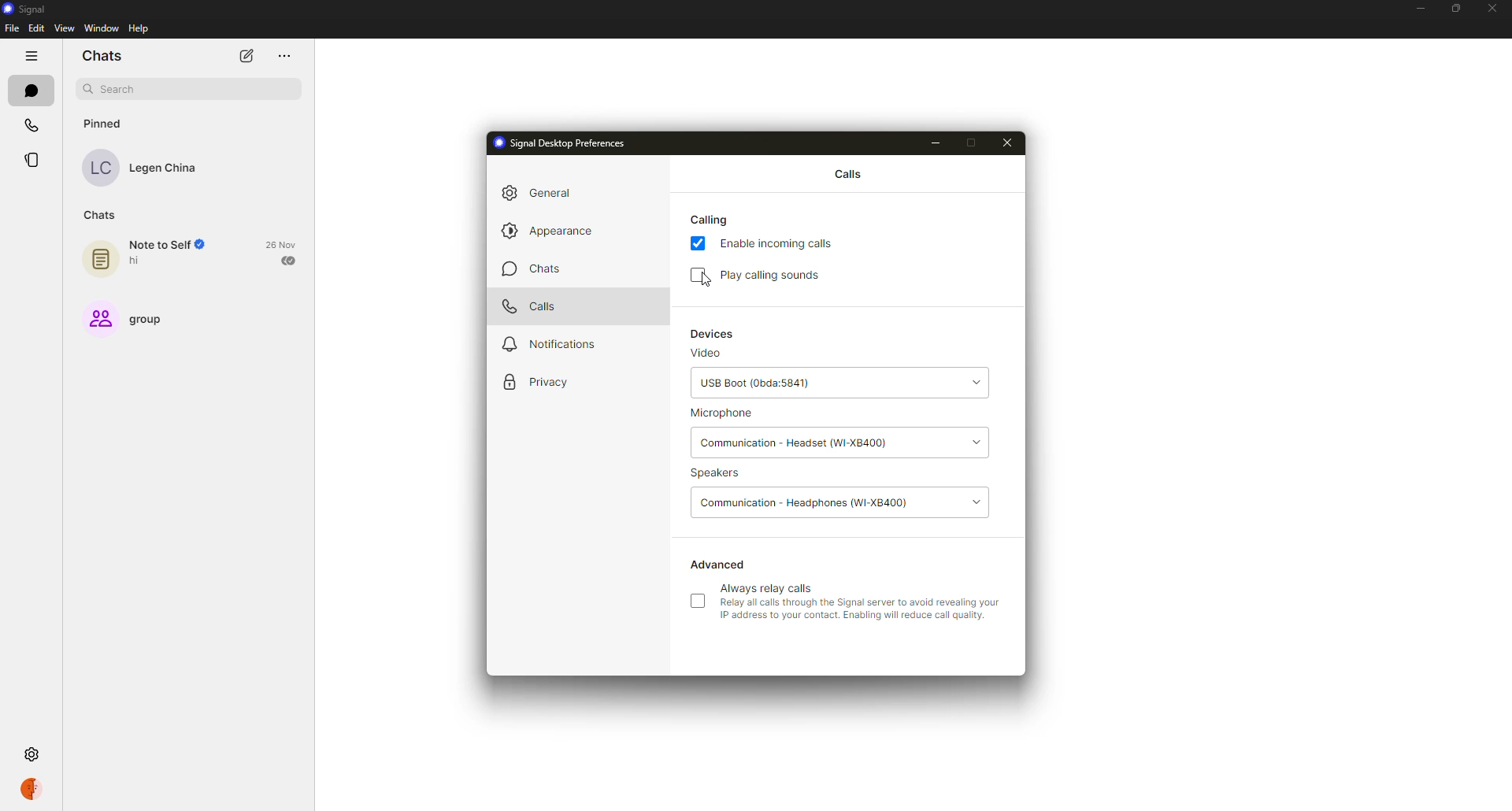 The width and height of the screenshot is (1512, 811). What do you see at coordinates (811, 502) in the screenshot?
I see `communication` at bounding box center [811, 502].